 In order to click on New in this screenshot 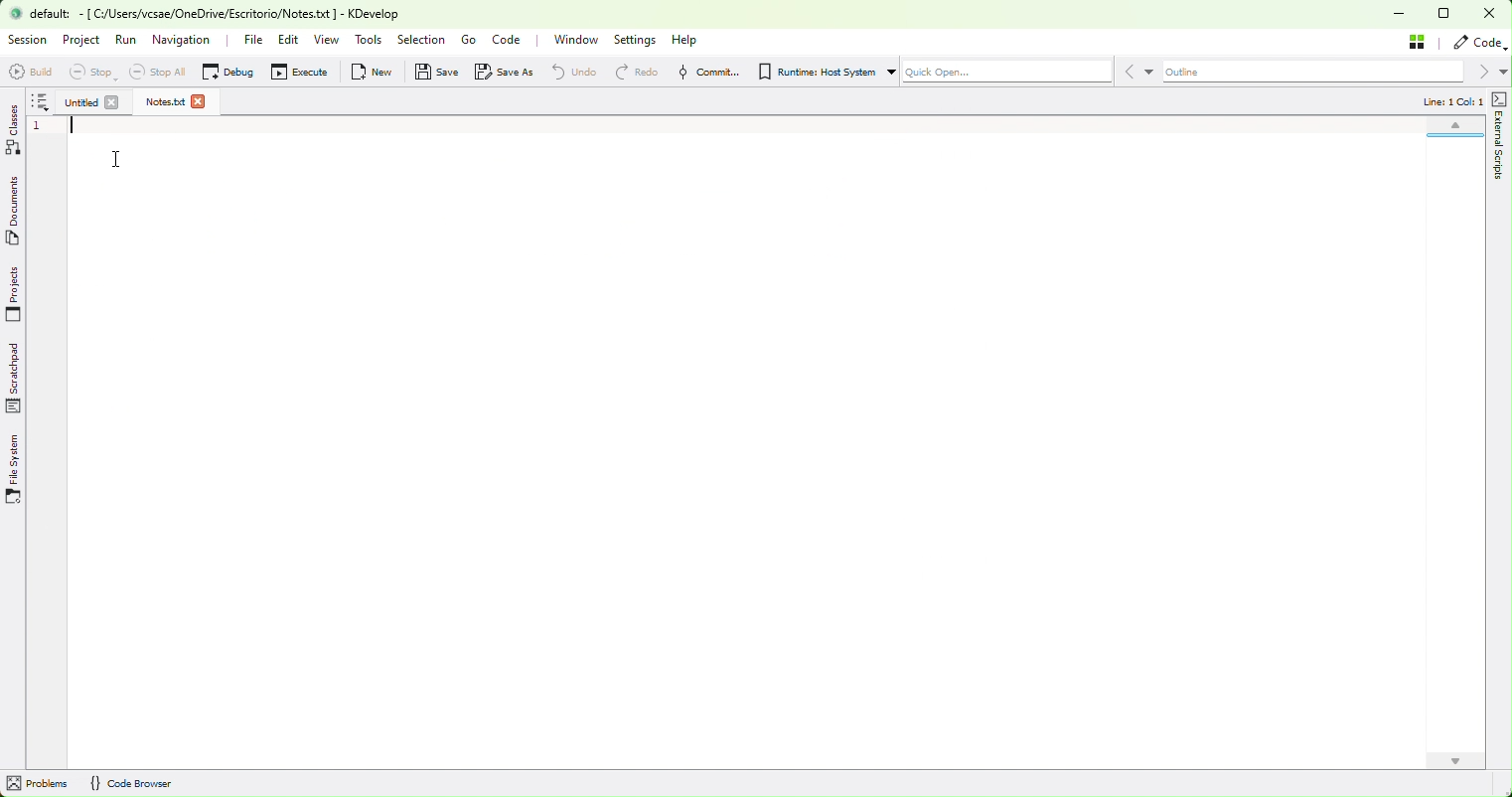, I will do `click(376, 72)`.